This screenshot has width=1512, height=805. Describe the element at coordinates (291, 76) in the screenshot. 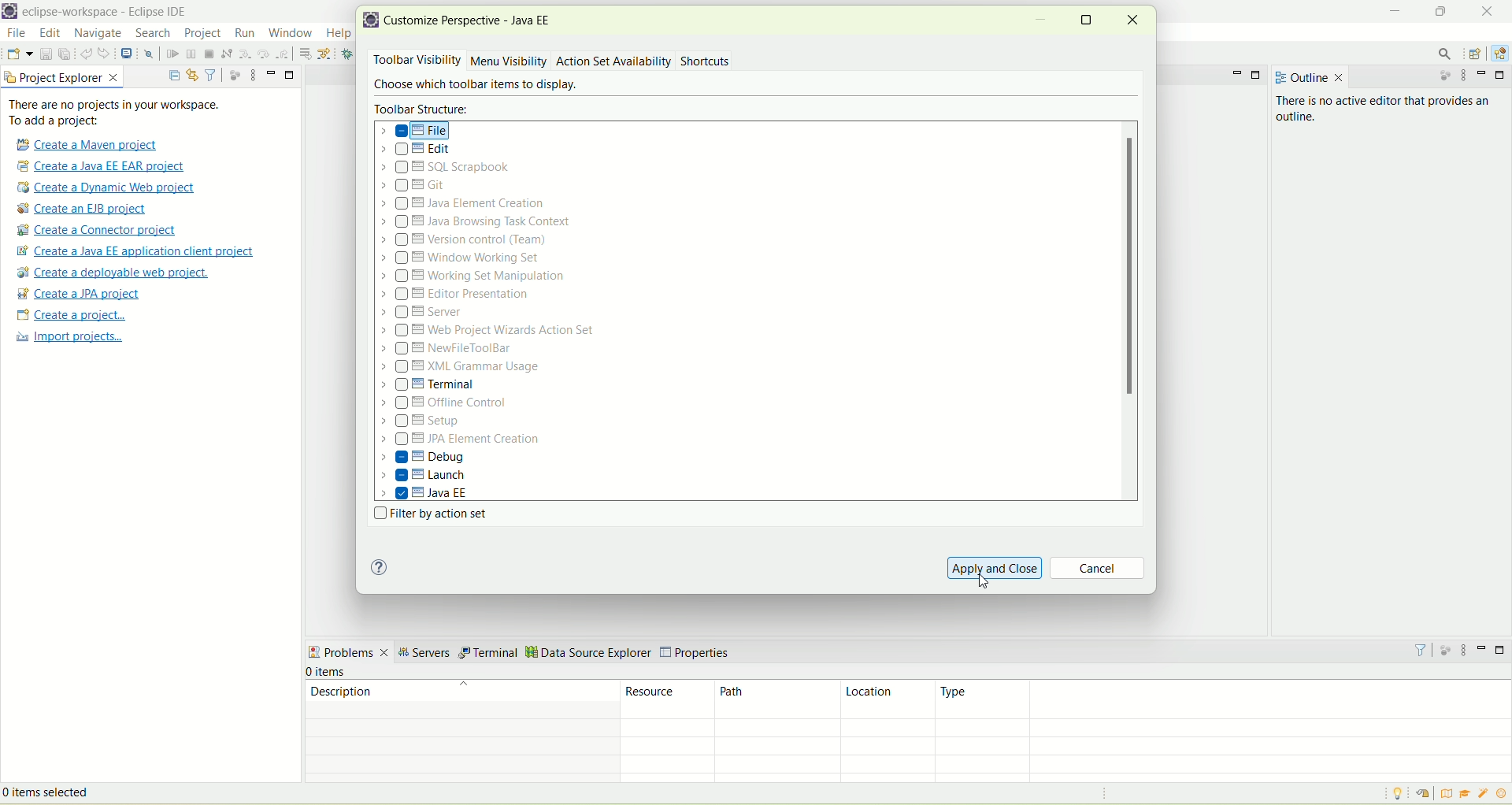

I see `maximize` at that location.